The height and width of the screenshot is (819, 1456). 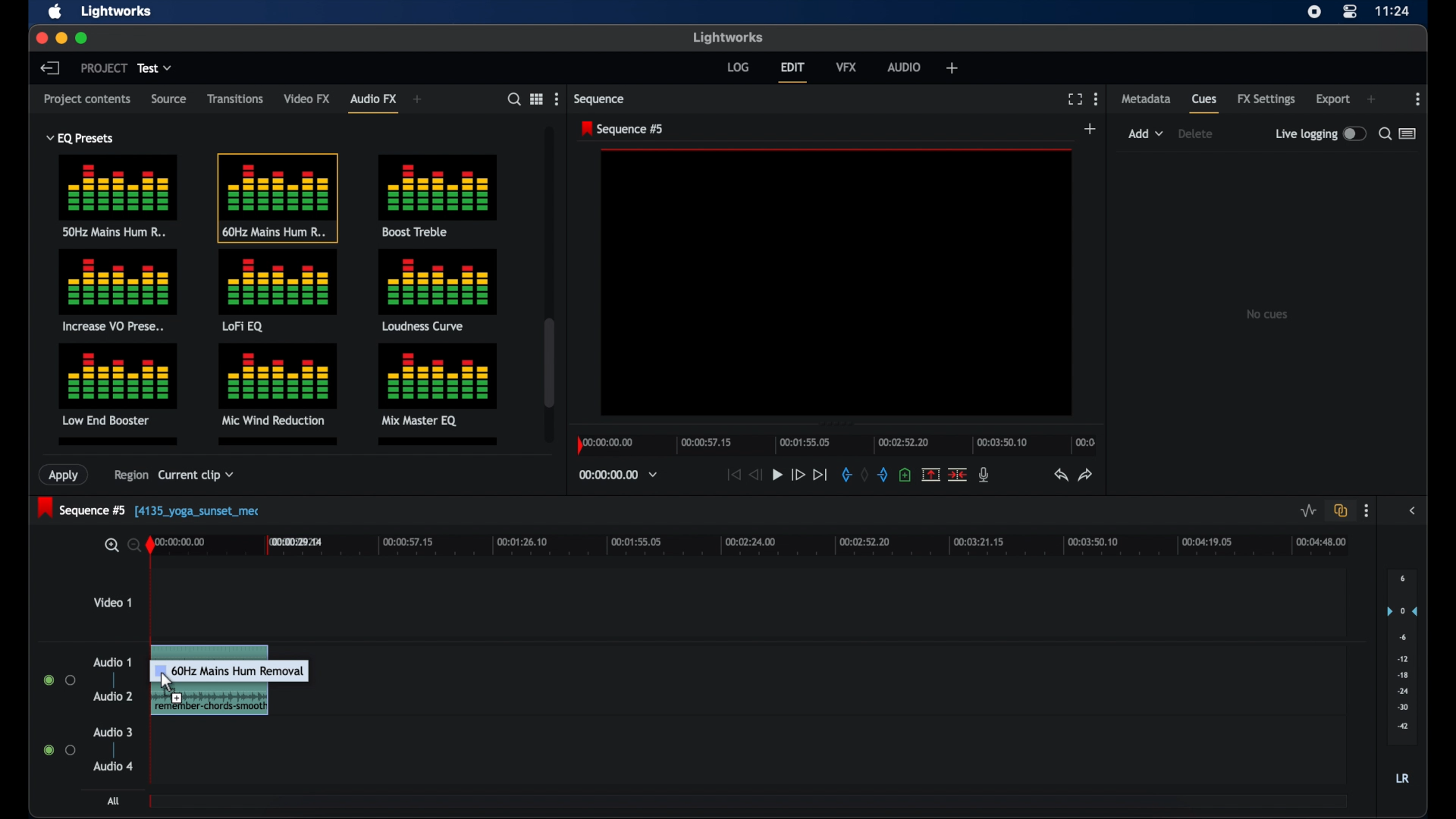 I want to click on time, so click(x=1393, y=11).